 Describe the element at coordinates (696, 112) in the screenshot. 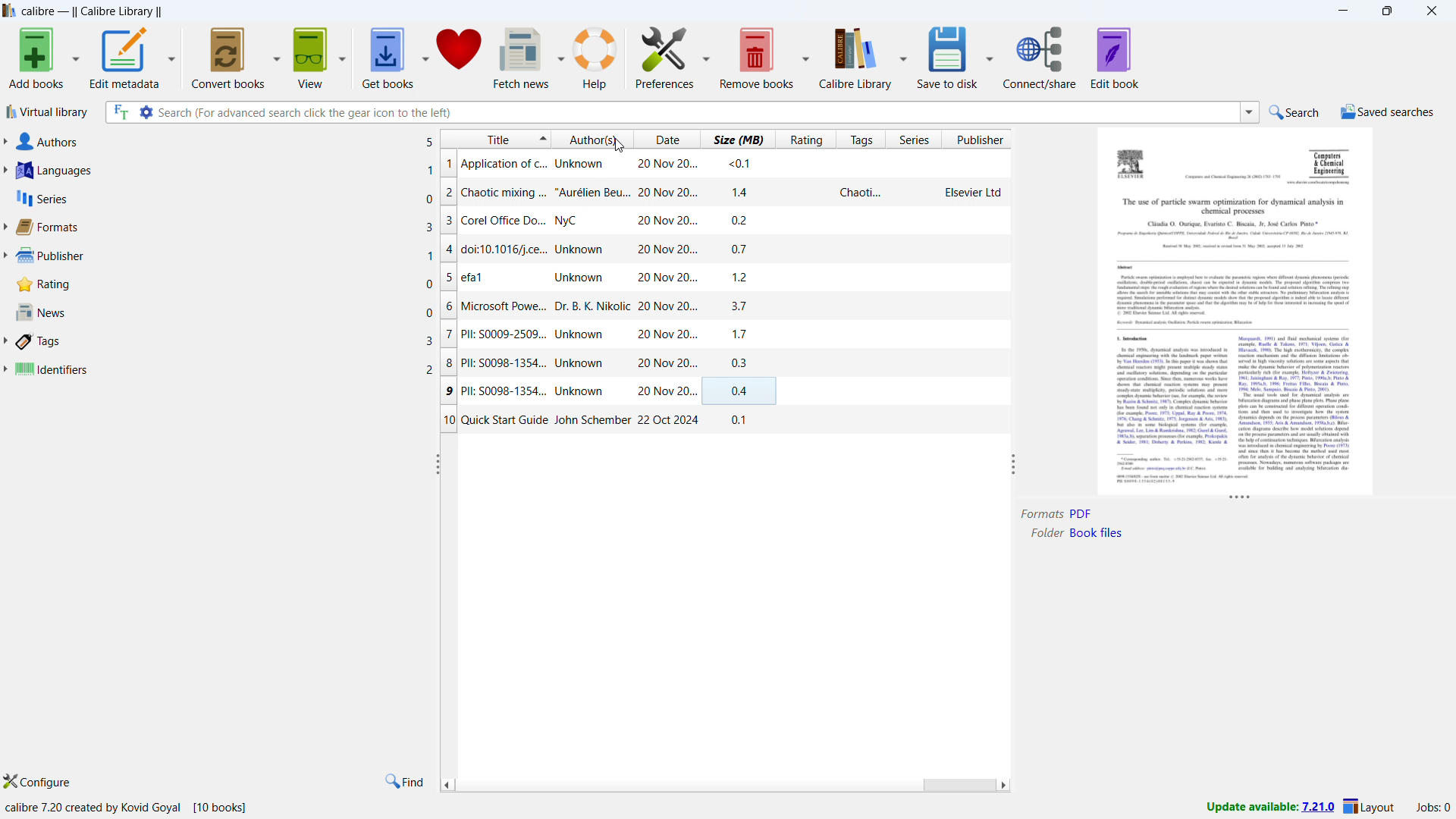

I see `search (For advanced search click the gear icon to the left` at that location.